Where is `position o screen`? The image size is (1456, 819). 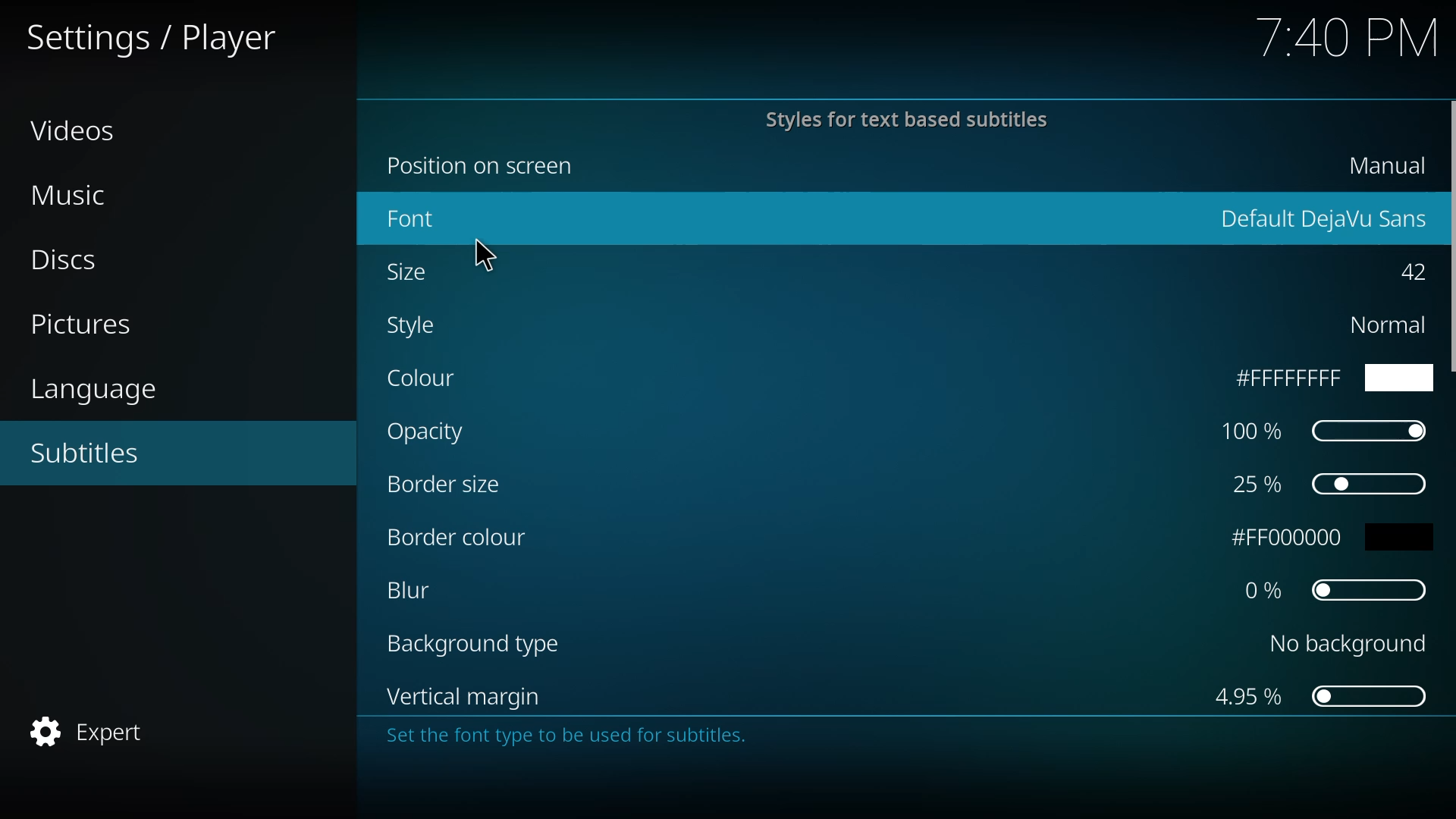 position o screen is located at coordinates (488, 166).